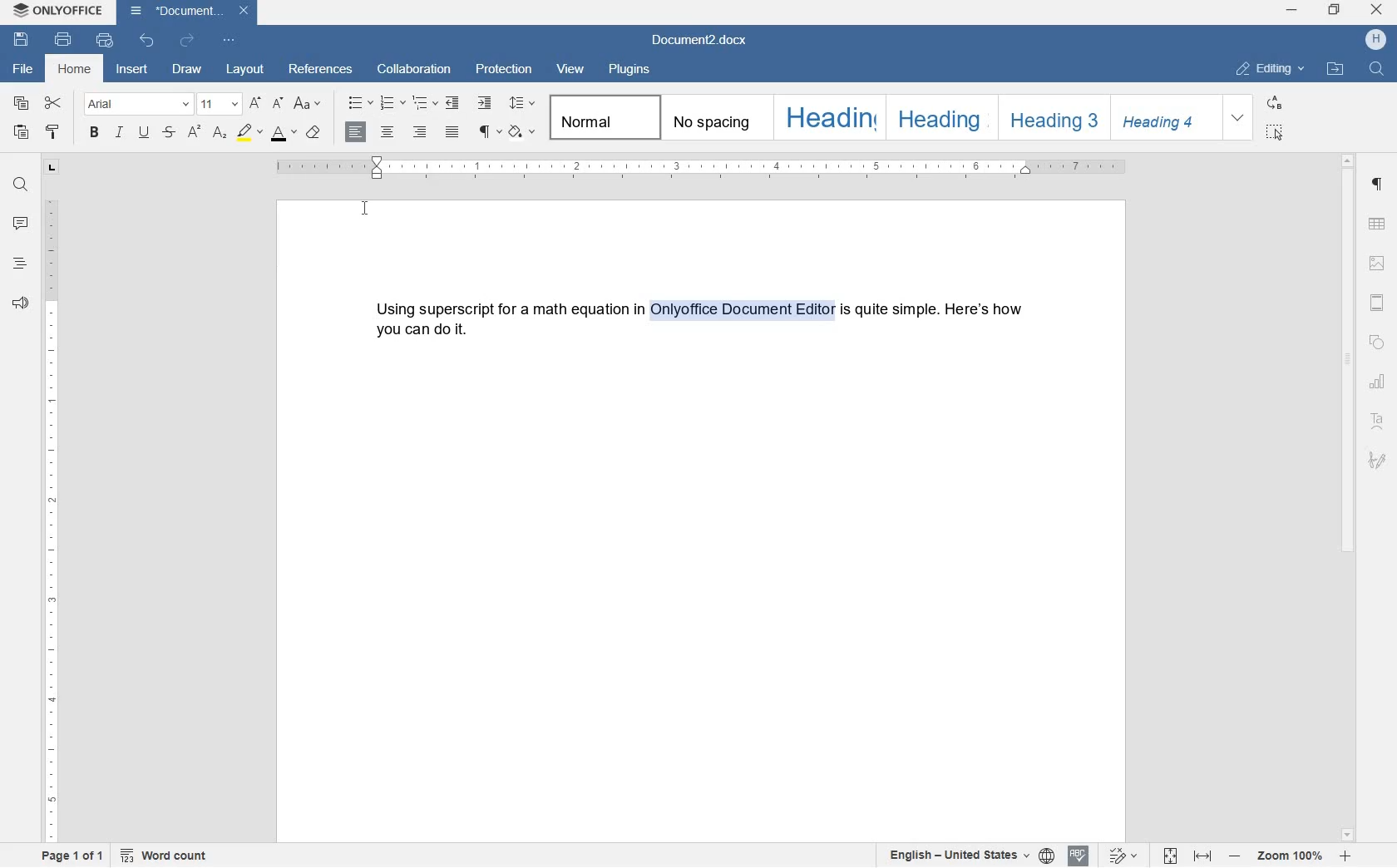 The width and height of the screenshot is (1397, 868). What do you see at coordinates (219, 103) in the screenshot?
I see `font size` at bounding box center [219, 103].